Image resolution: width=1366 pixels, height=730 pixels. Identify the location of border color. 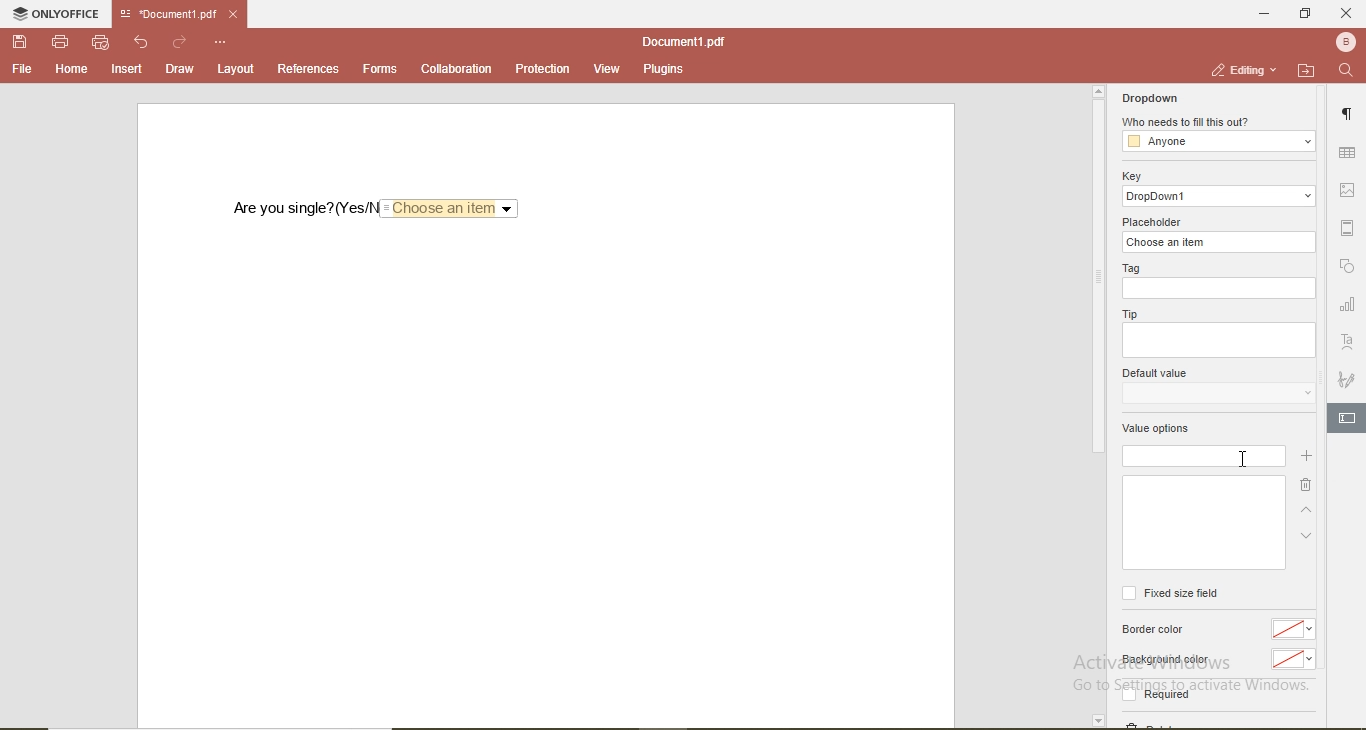
(1154, 632).